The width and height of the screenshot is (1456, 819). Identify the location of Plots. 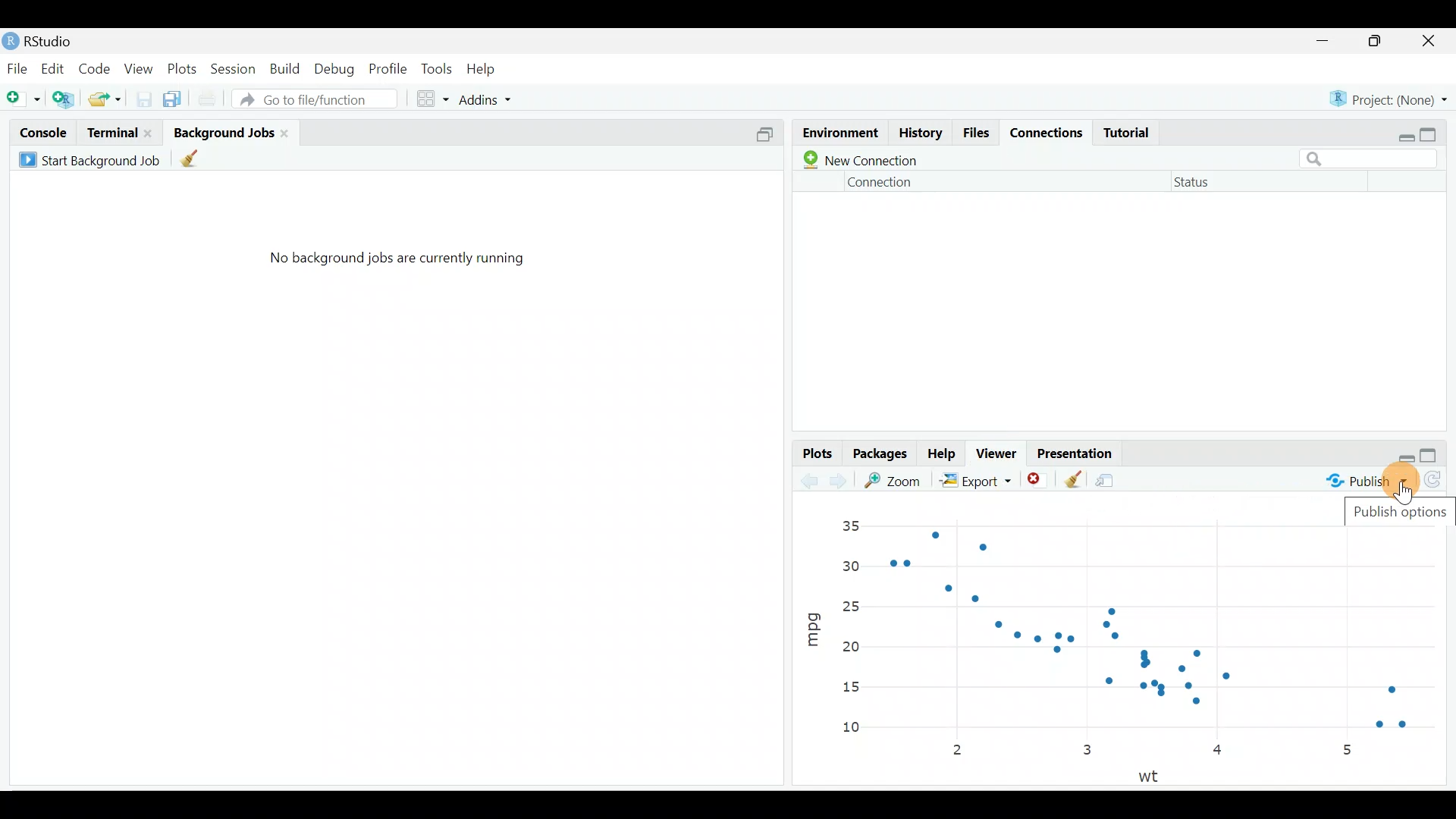
(816, 452).